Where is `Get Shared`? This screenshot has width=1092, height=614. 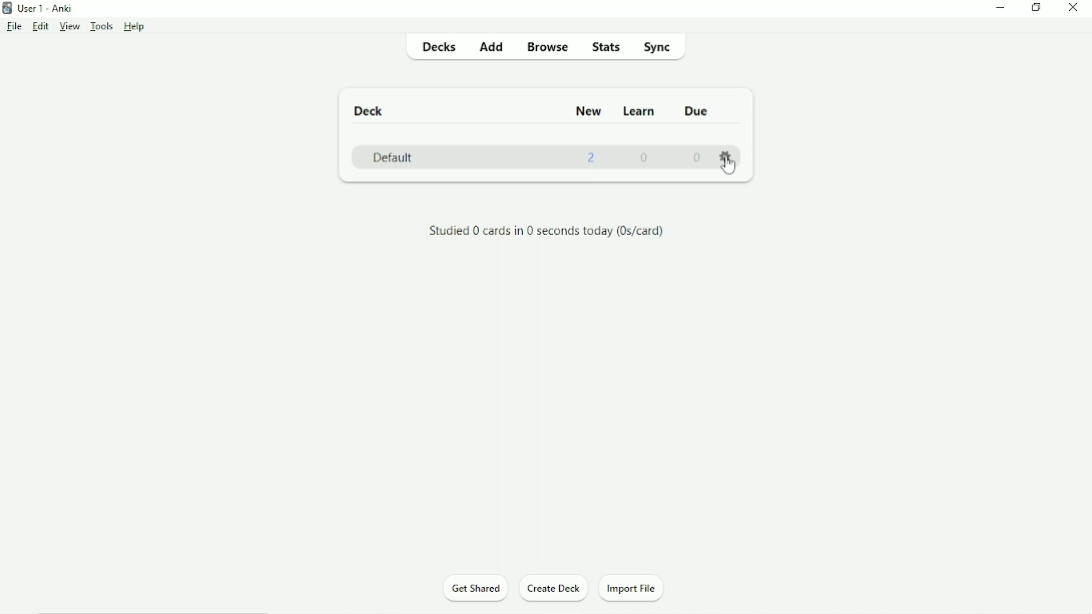 Get Shared is located at coordinates (476, 589).